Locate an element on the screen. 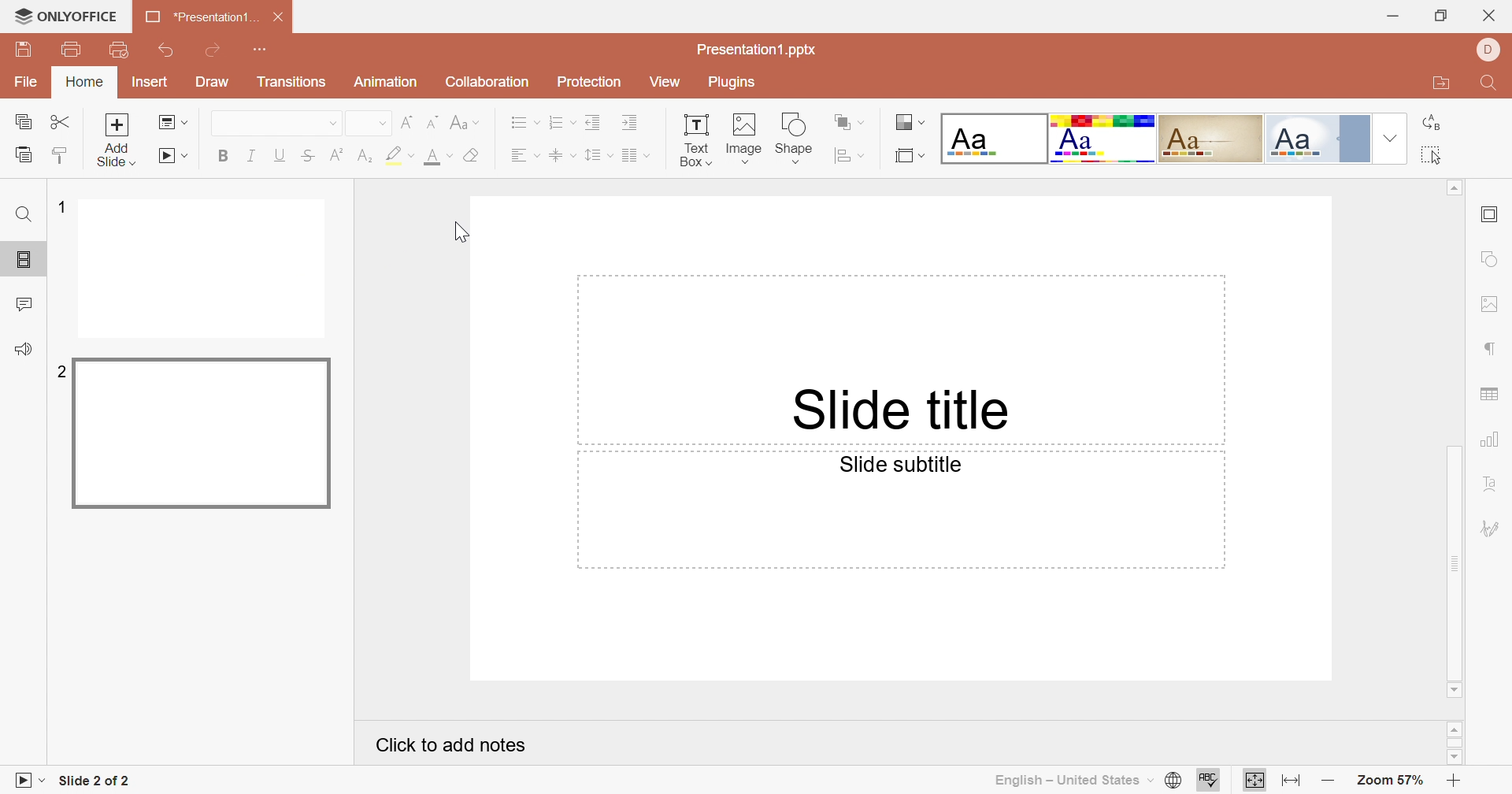 This screenshot has width=1512, height=794. Slide title is located at coordinates (903, 412).